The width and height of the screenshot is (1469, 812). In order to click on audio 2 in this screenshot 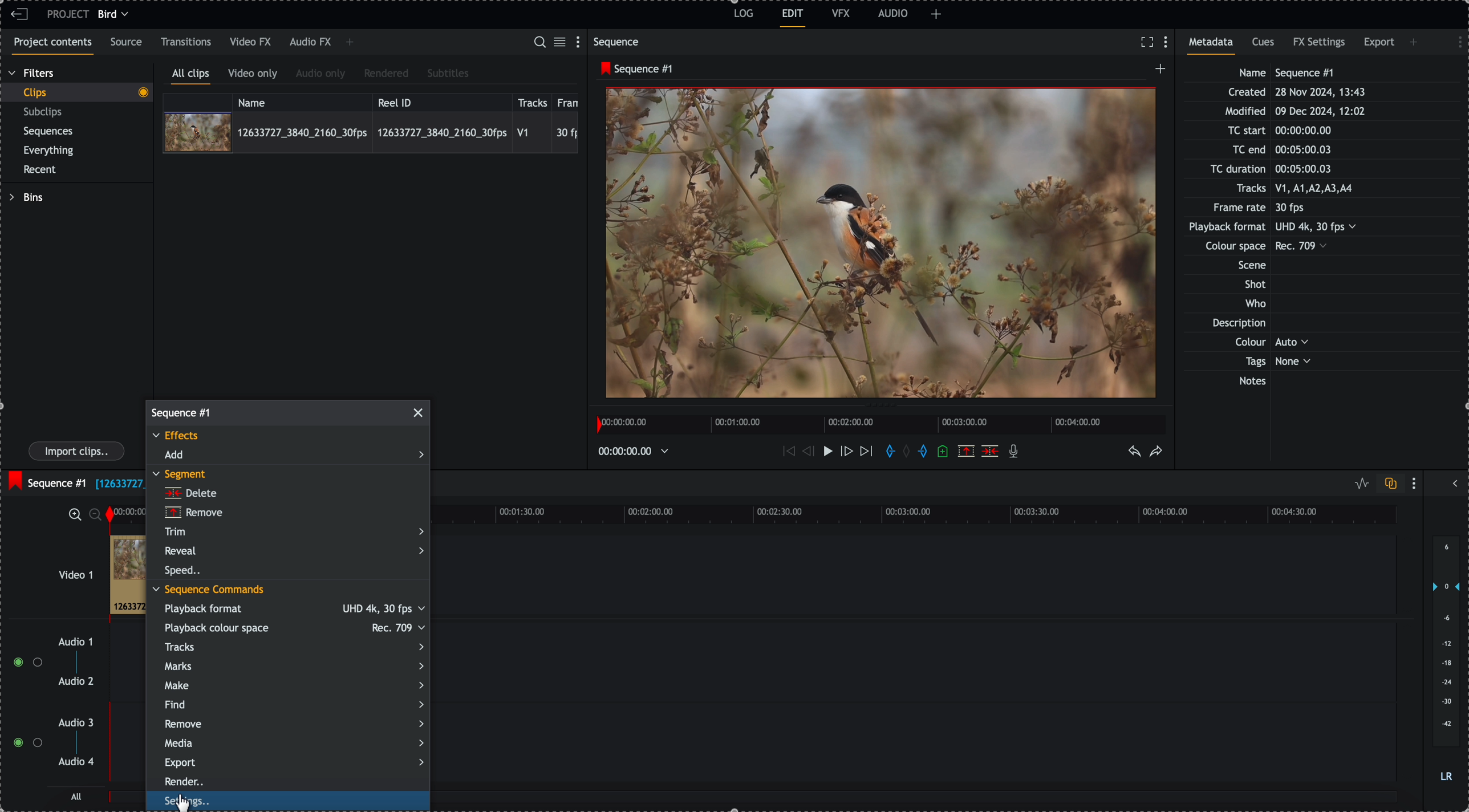, I will do `click(74, 682)`.